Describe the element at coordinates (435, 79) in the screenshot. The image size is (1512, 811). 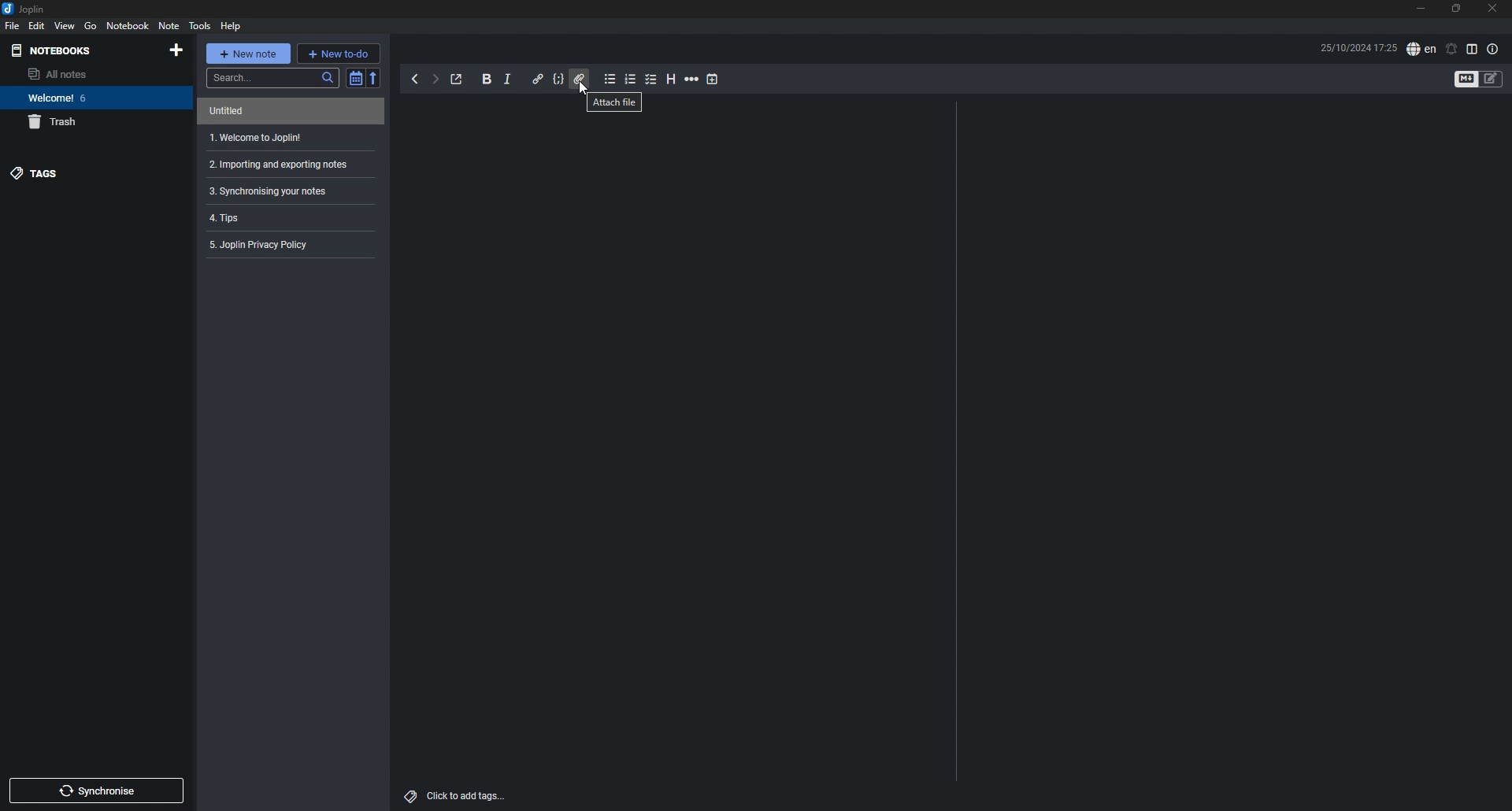
I see `forward` at that location.